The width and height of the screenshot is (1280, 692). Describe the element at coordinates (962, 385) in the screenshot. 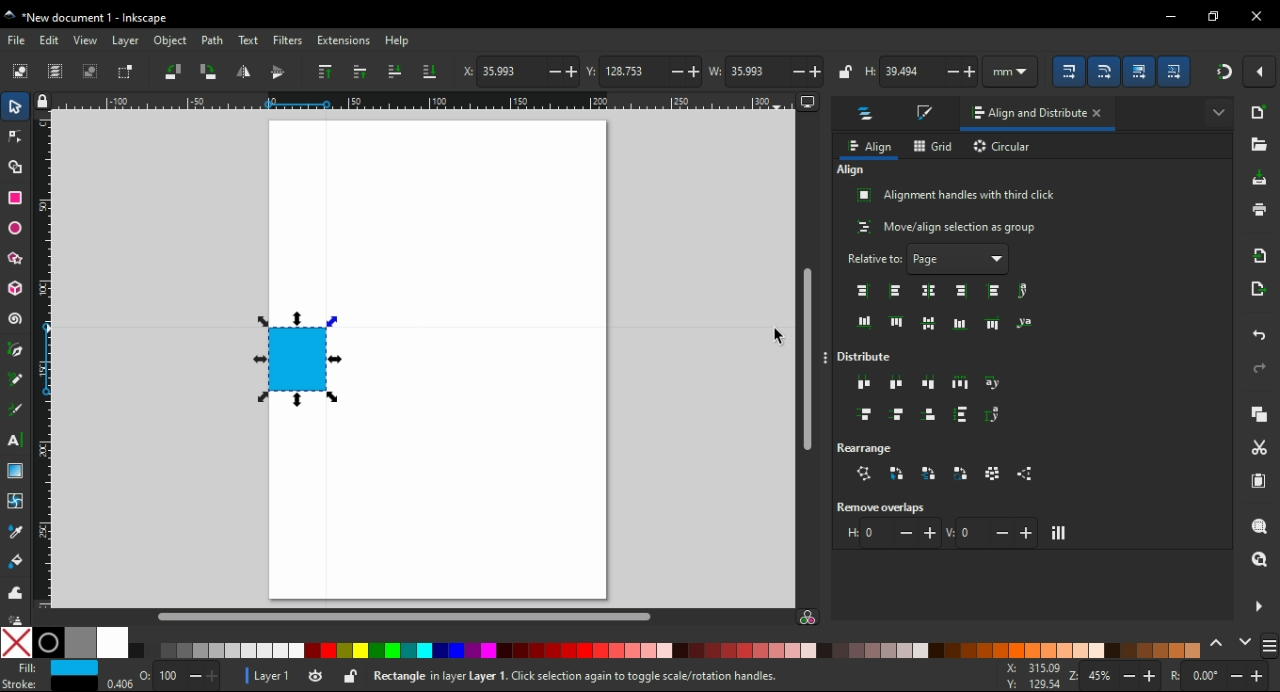

I see `distribute horizontally with even horizontal gaps` at that location.